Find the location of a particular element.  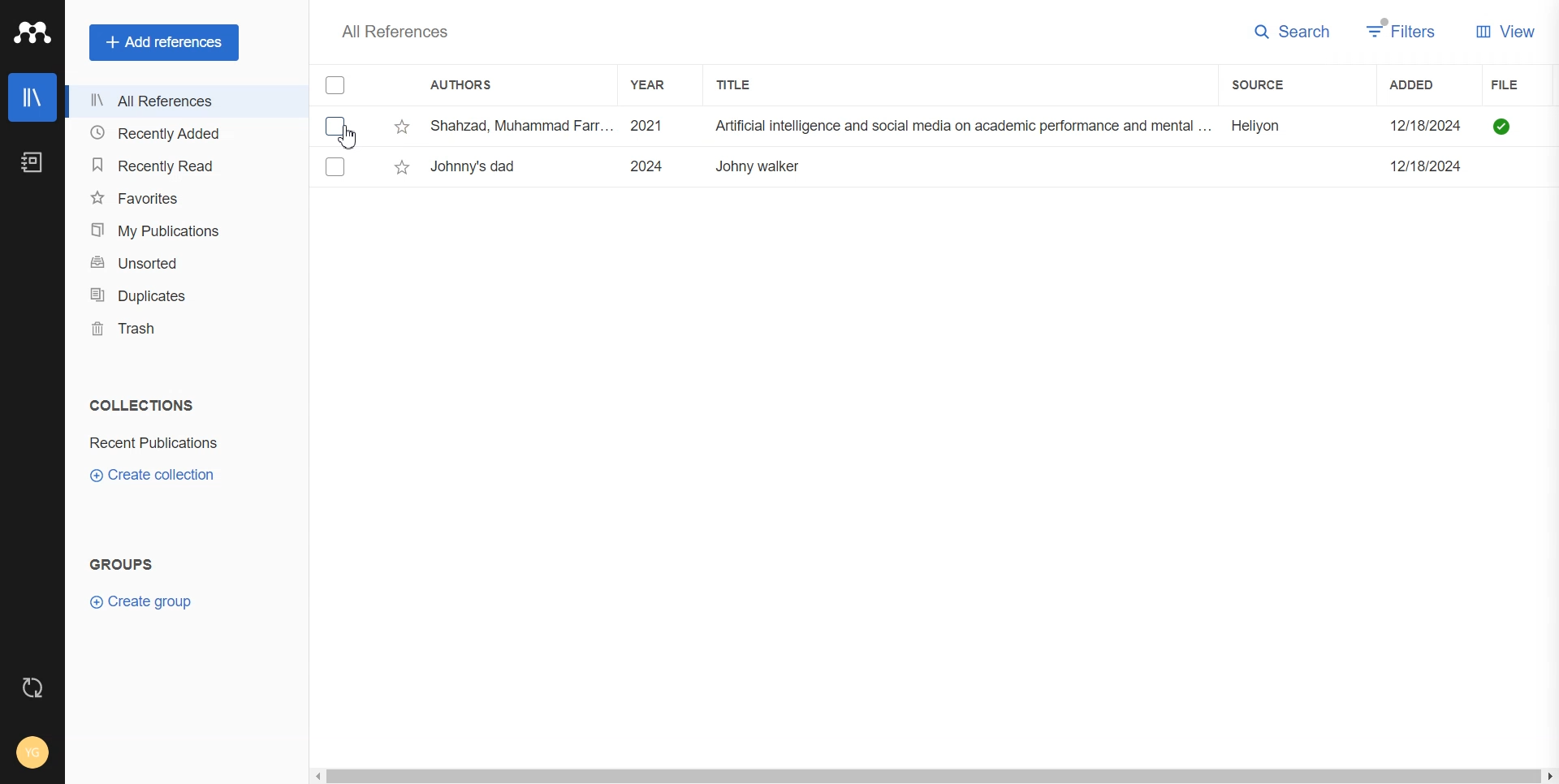

select entry is located at coordinates (335, 166).